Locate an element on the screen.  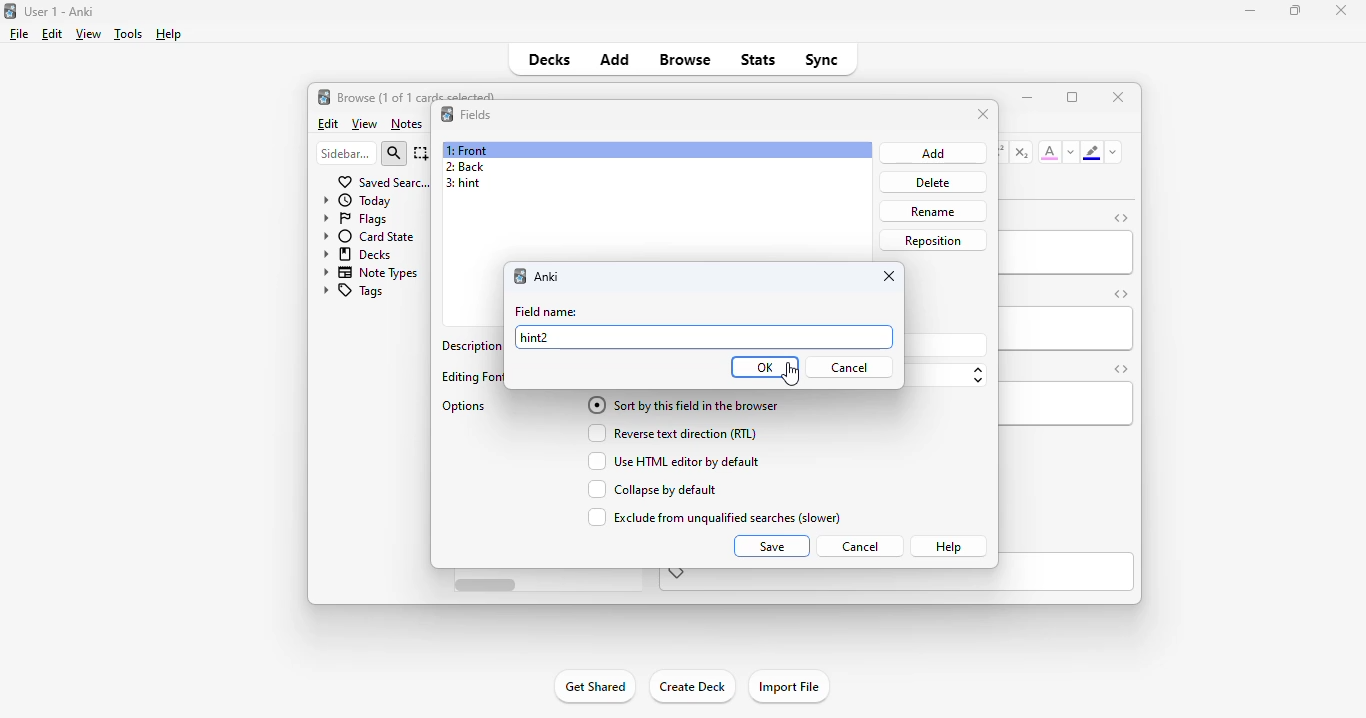
sort by this field in the browser is located at coordinates (682, 405).